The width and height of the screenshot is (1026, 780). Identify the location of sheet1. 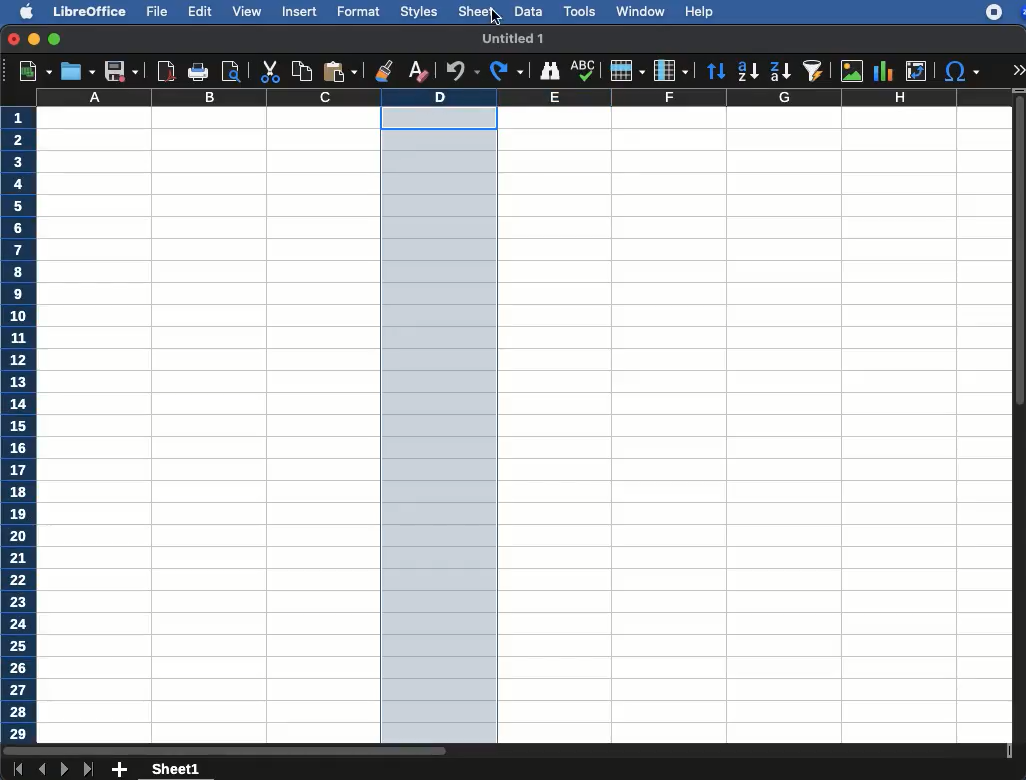
(177, 770).